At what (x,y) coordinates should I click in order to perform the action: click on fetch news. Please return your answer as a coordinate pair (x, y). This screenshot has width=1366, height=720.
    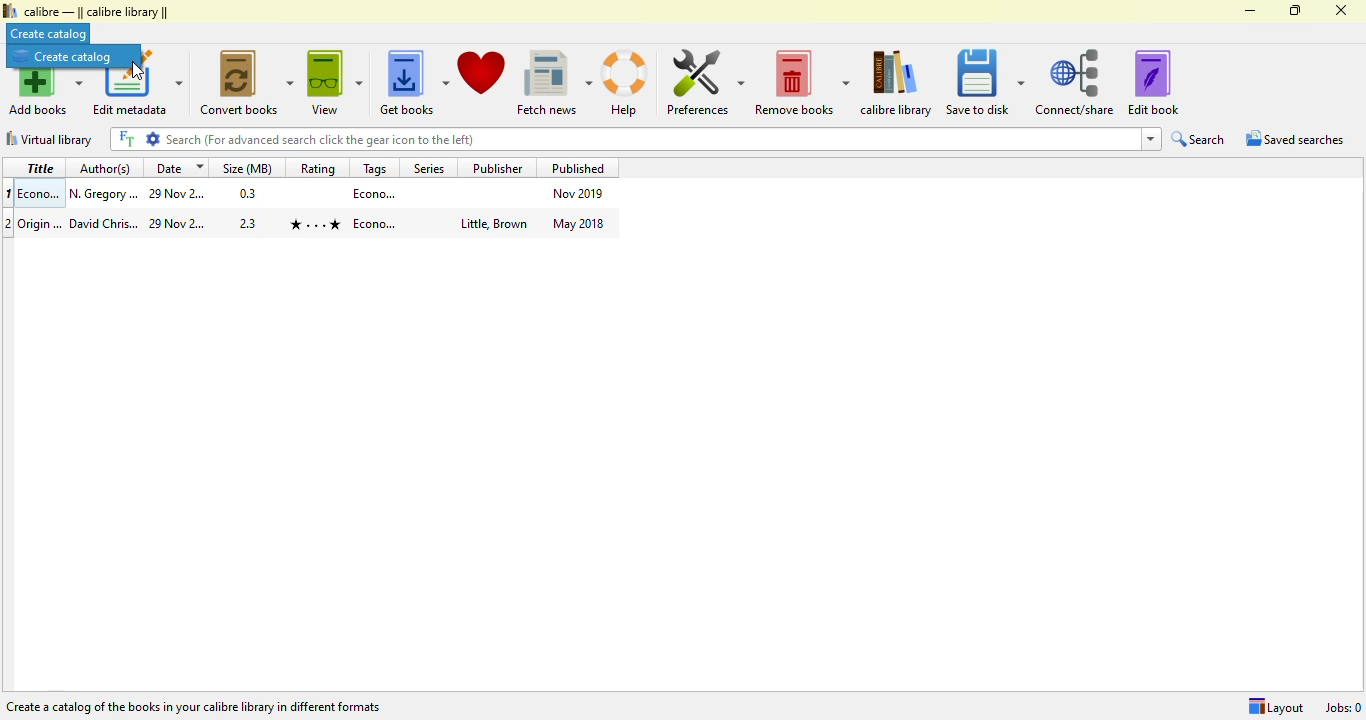
    Looking at the image, I should click on (553, 82).